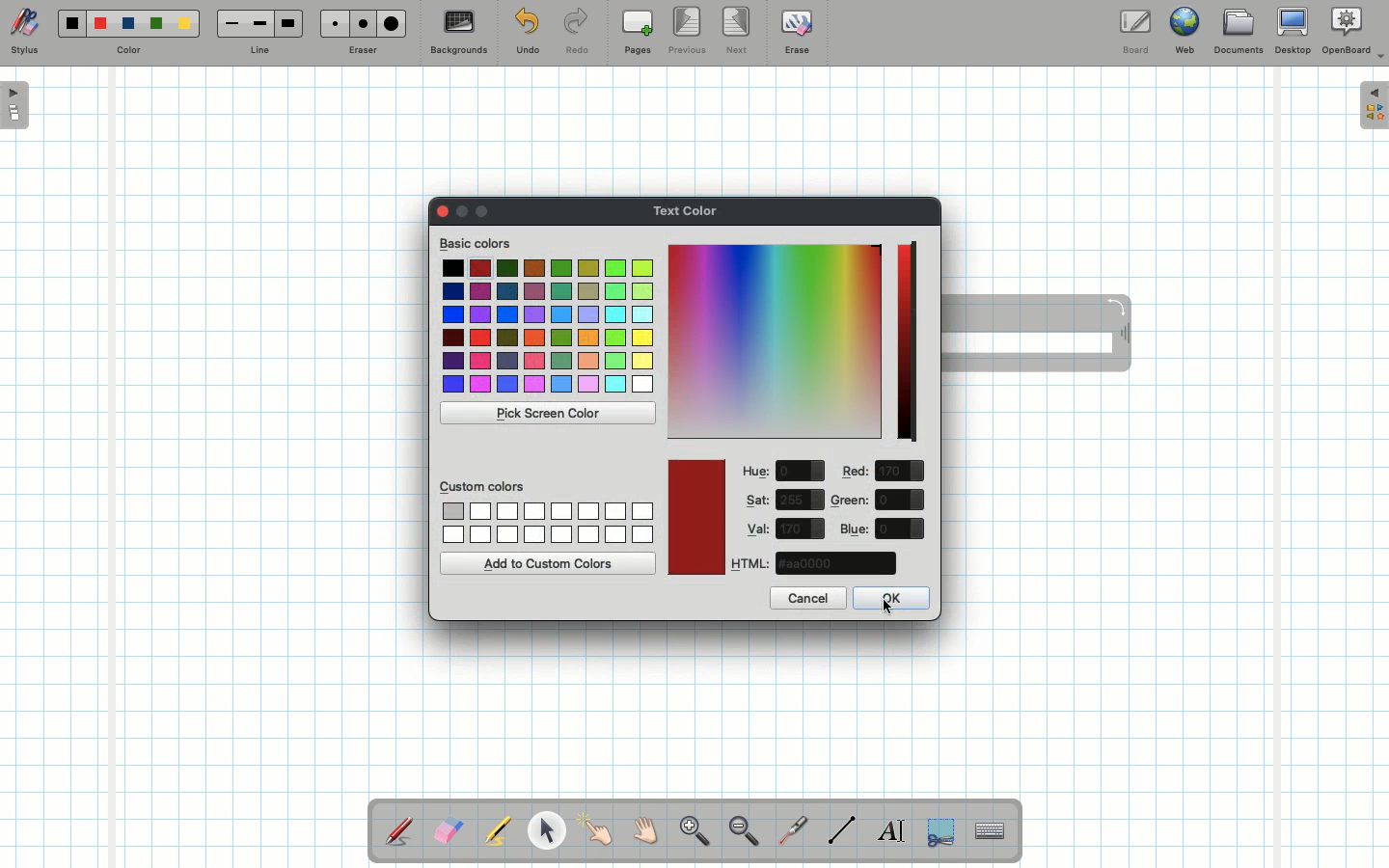 The width and height of the screenshot is (1389, 868). Describe the element at coordinates (476, 242) in the screenshot. I see `Basic colors` at that location.